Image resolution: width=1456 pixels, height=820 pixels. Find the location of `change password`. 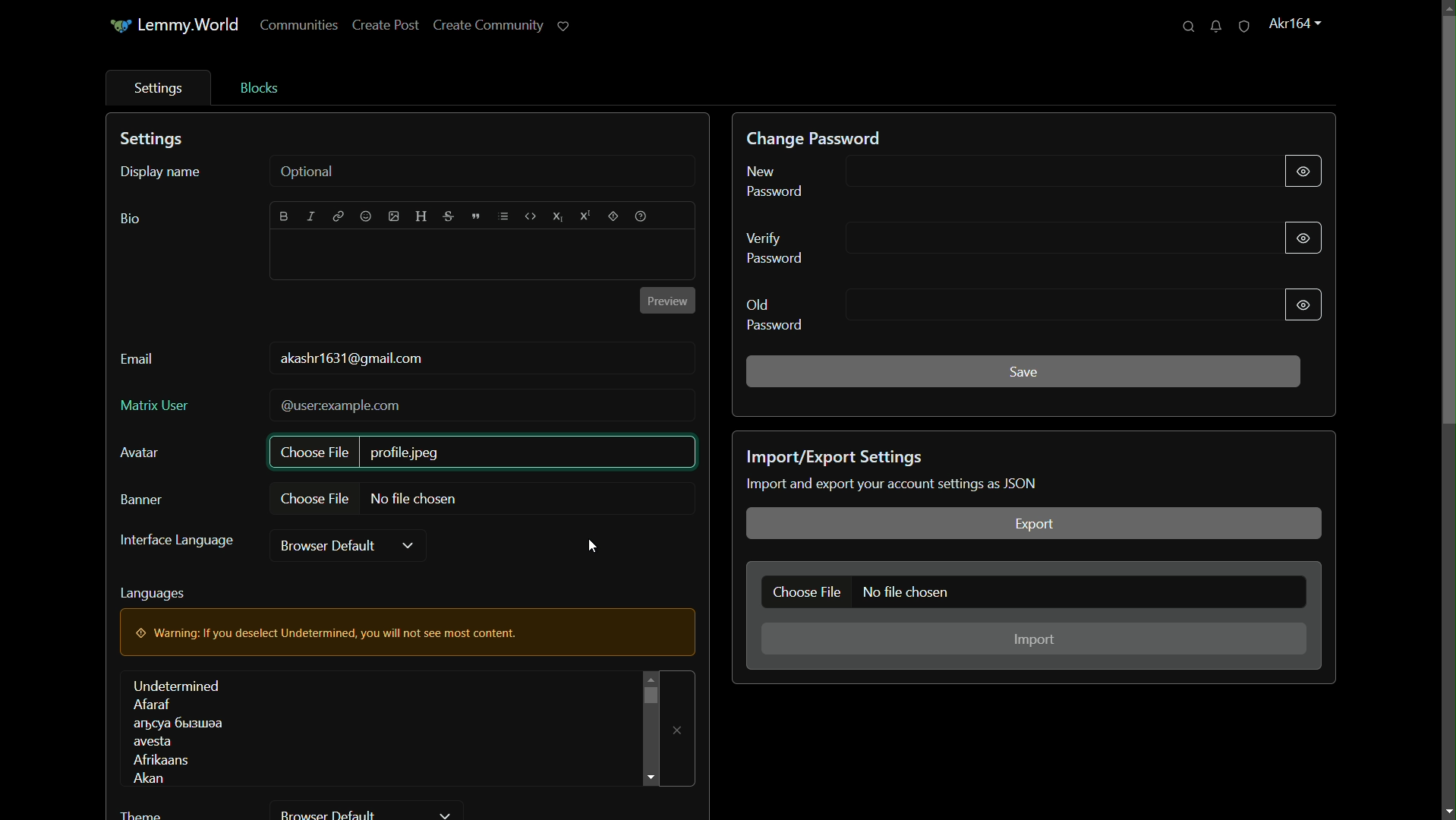

change password is located at coordinates (816, 138).